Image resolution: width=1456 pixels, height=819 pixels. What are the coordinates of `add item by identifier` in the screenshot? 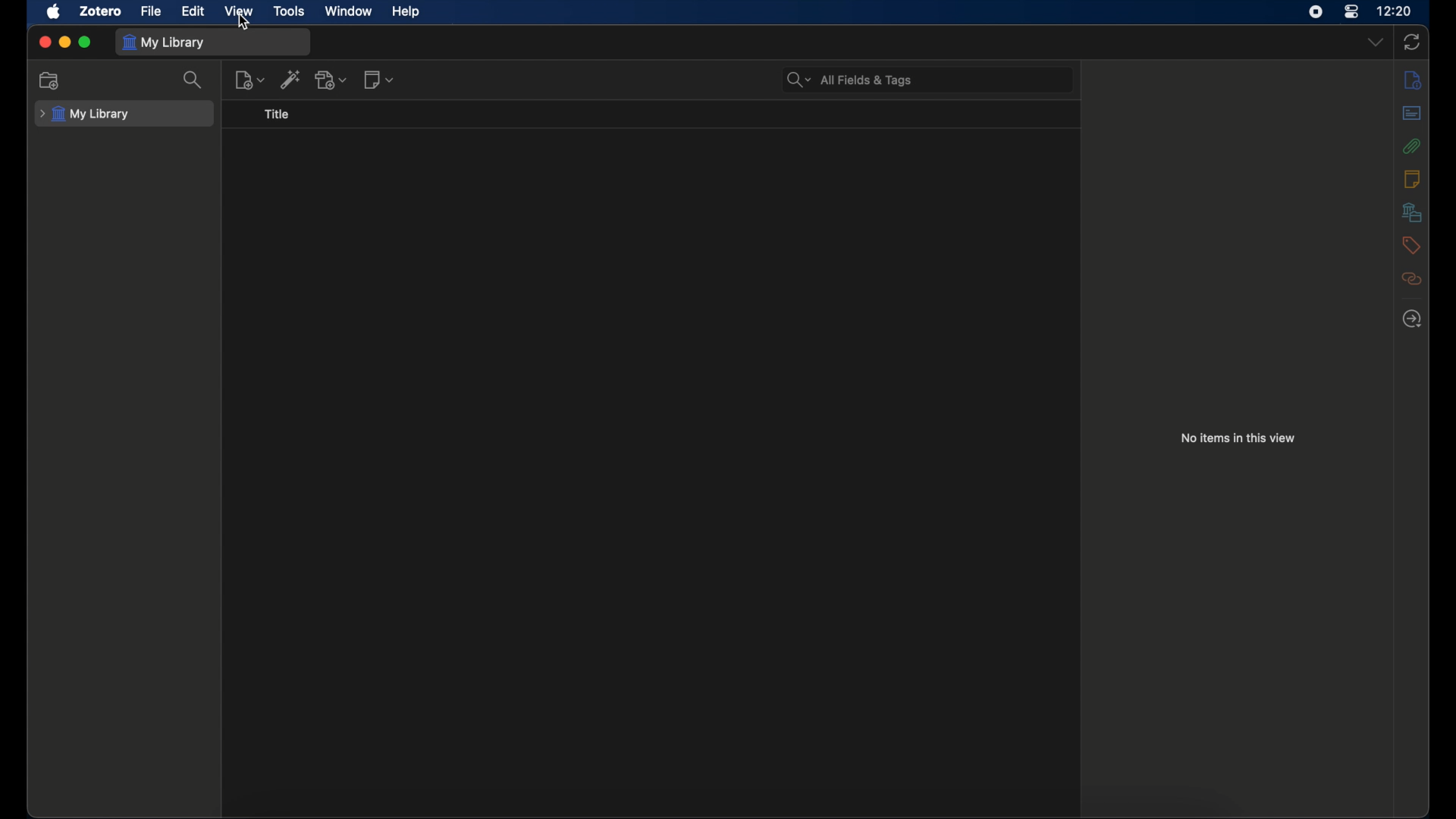 It's located at (290, 80).